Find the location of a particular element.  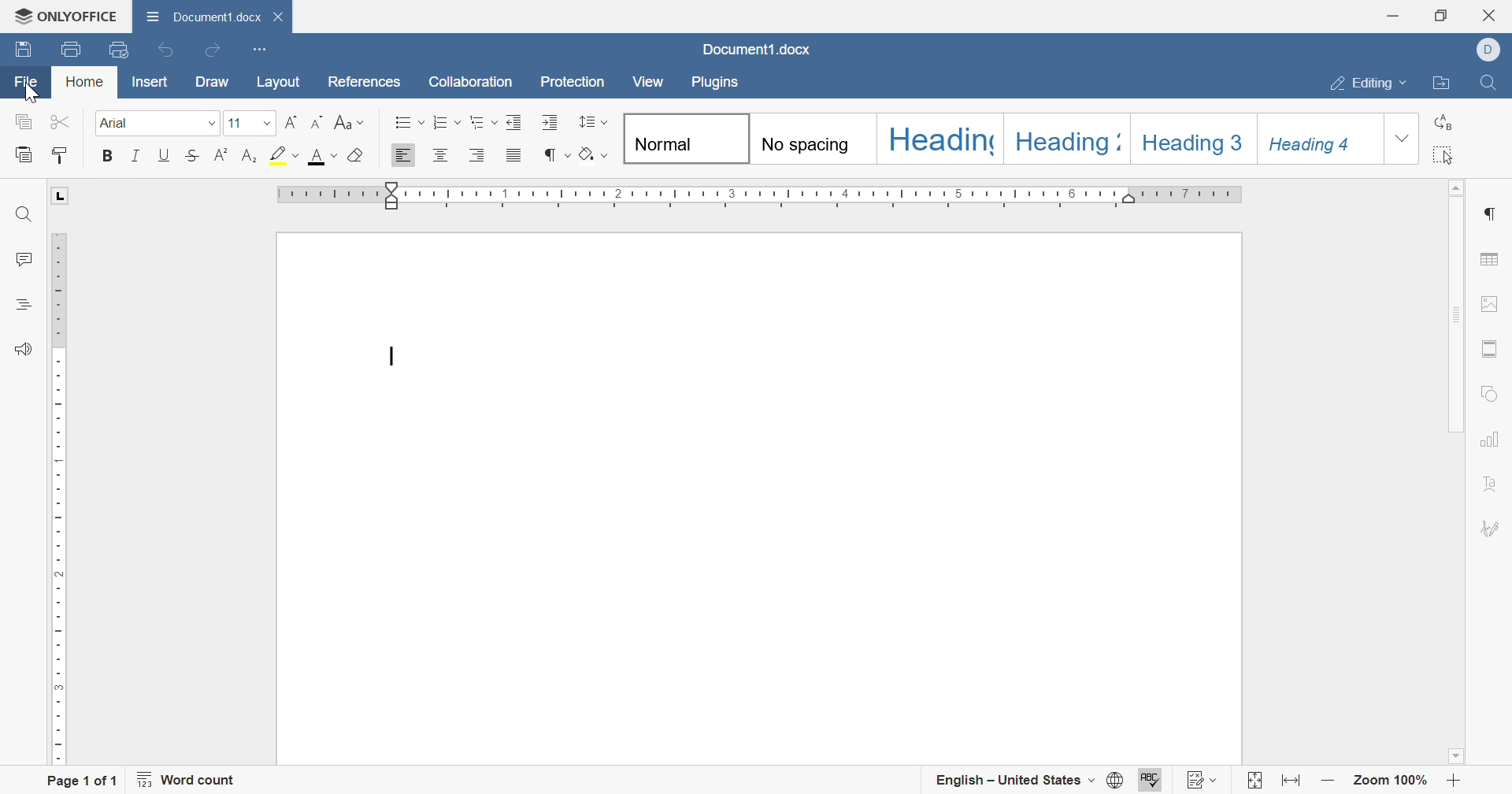

close is located at coordinates (280, 16).